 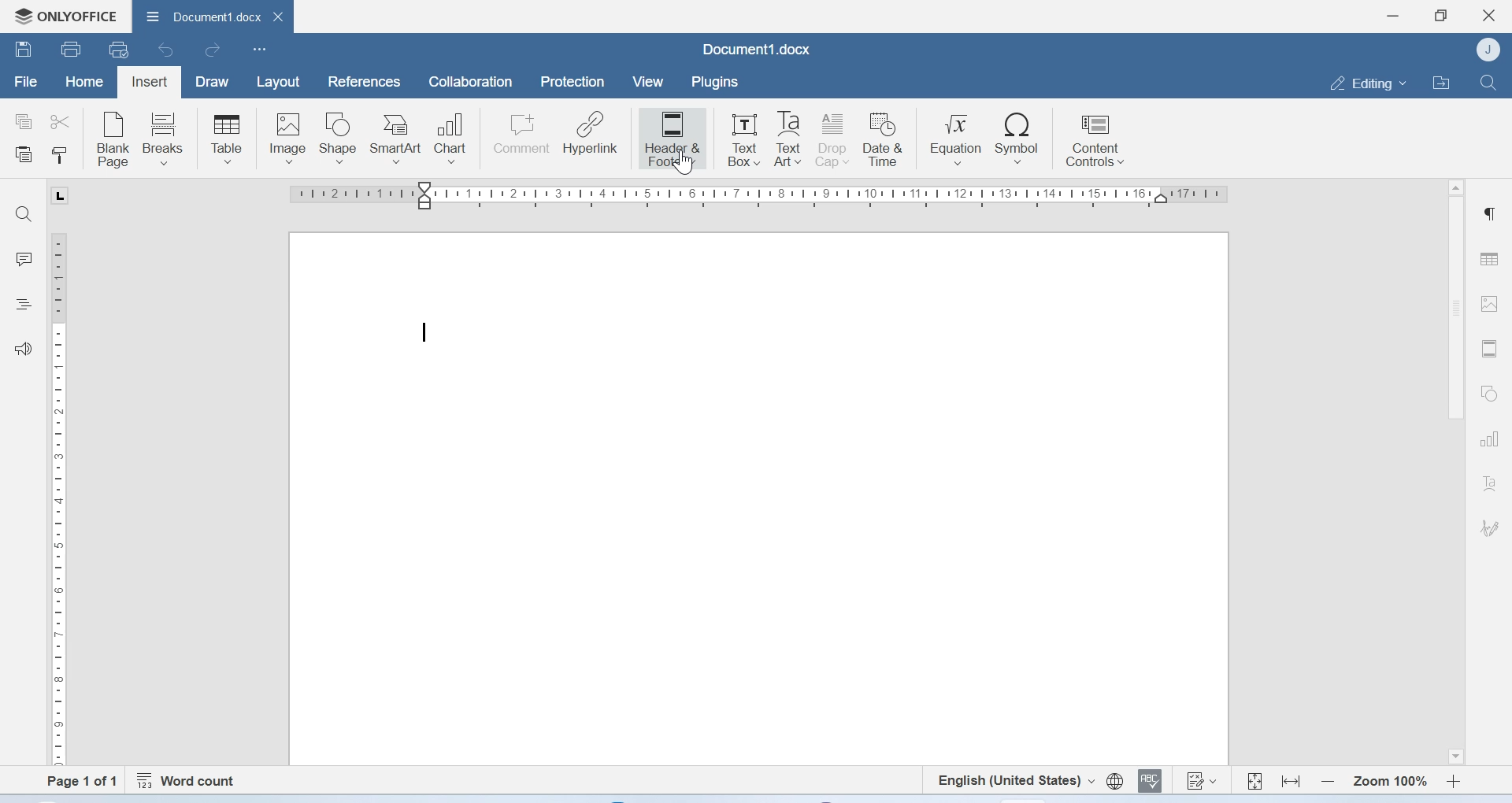 What do you see at coordinates (1488, 440) in the screenshot?
I see `Charts` at bounding box center [1488, 440].